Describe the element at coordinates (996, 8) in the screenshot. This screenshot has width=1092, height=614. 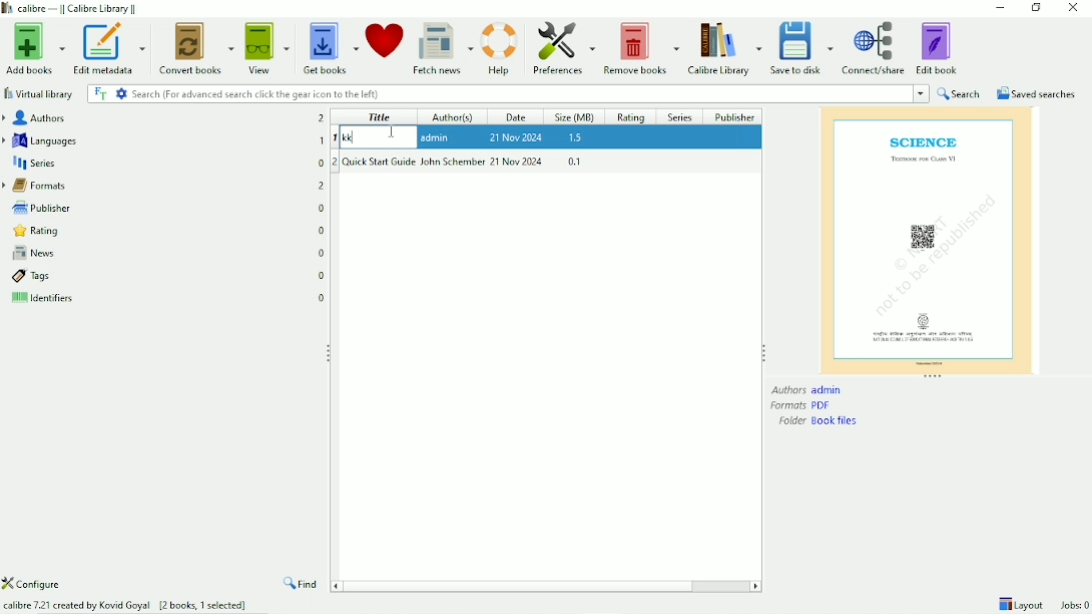
I see `Minimize` at that location.